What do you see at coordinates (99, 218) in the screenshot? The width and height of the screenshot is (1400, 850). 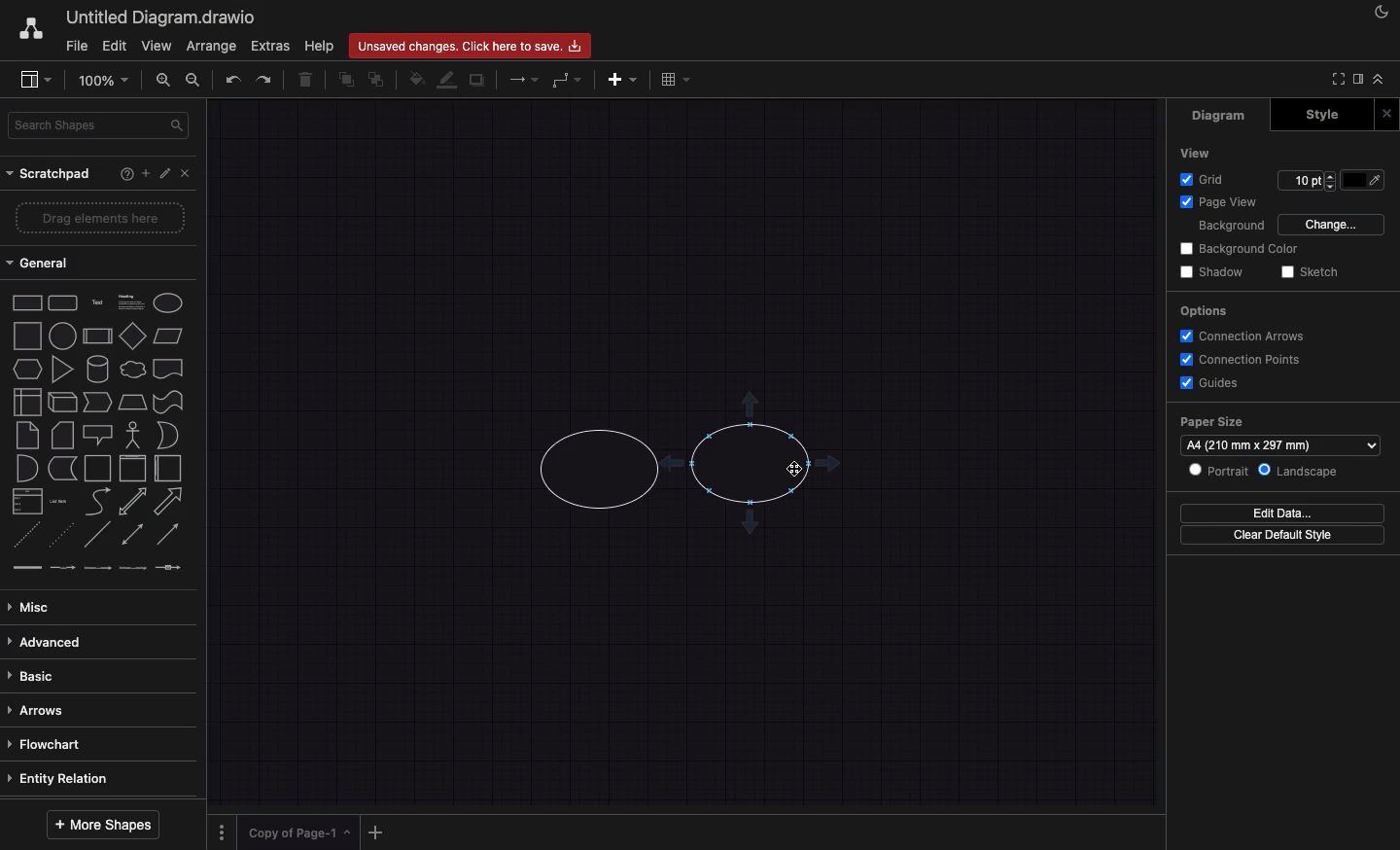 I see `drag elements here` at bounding box center [99, 218].